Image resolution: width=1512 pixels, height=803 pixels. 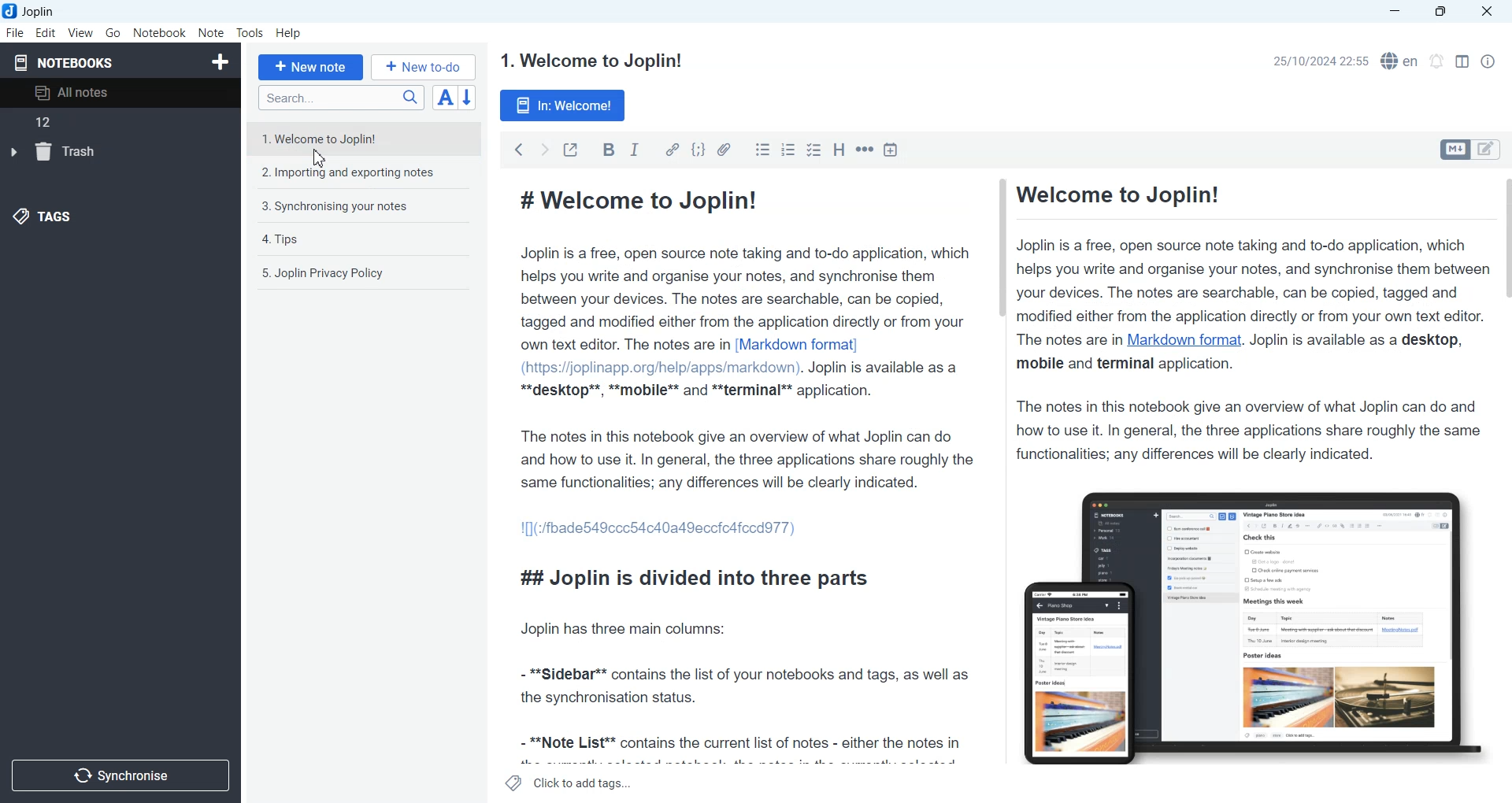 What do you see at coordinates (120, 774) in the screenshot?
I see `Synchronize` at bounding box center [120, 774].